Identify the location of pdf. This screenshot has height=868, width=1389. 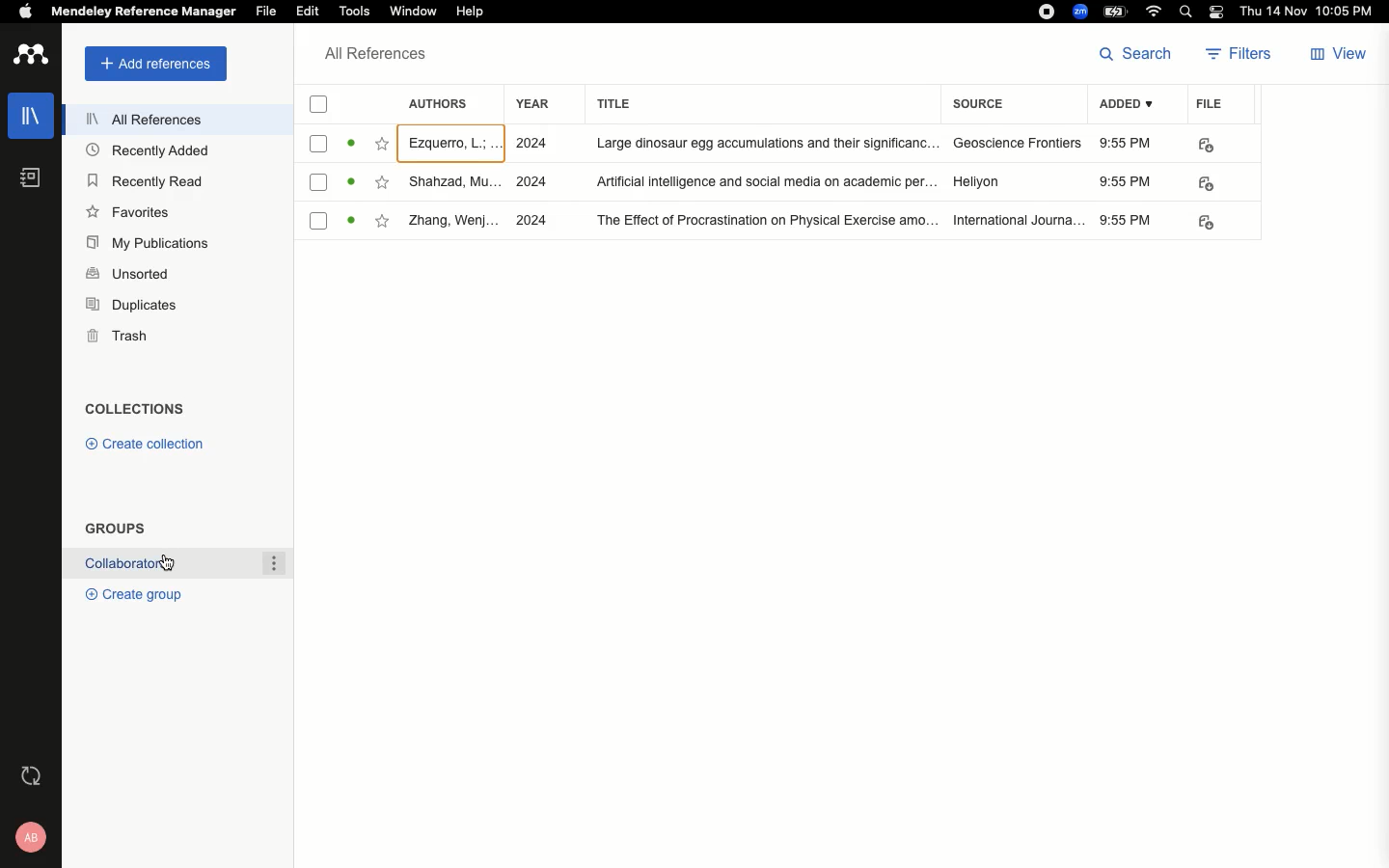
(1206, 223).